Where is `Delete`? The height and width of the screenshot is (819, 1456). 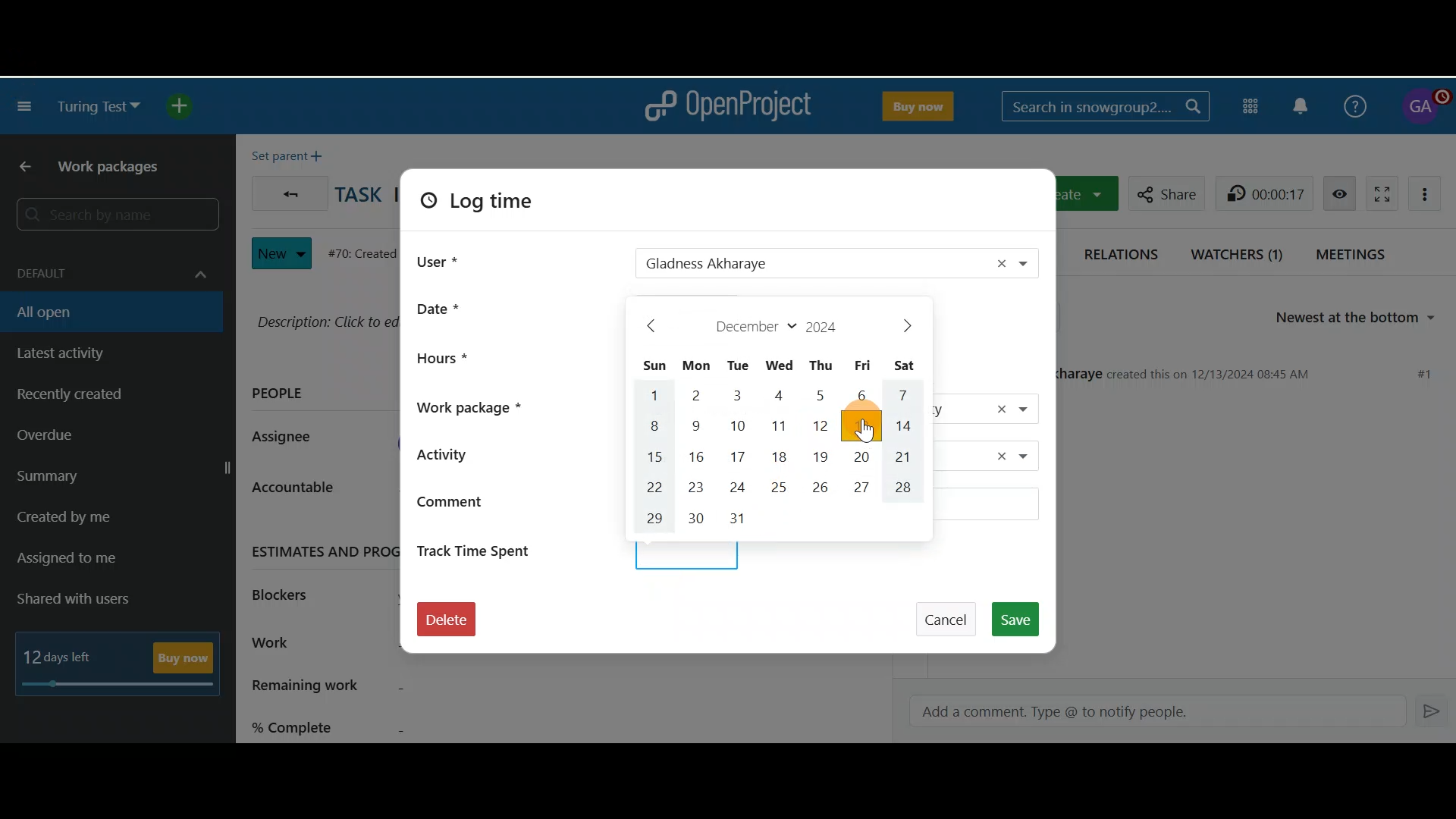 Delete is located at coordinates (446, 624).